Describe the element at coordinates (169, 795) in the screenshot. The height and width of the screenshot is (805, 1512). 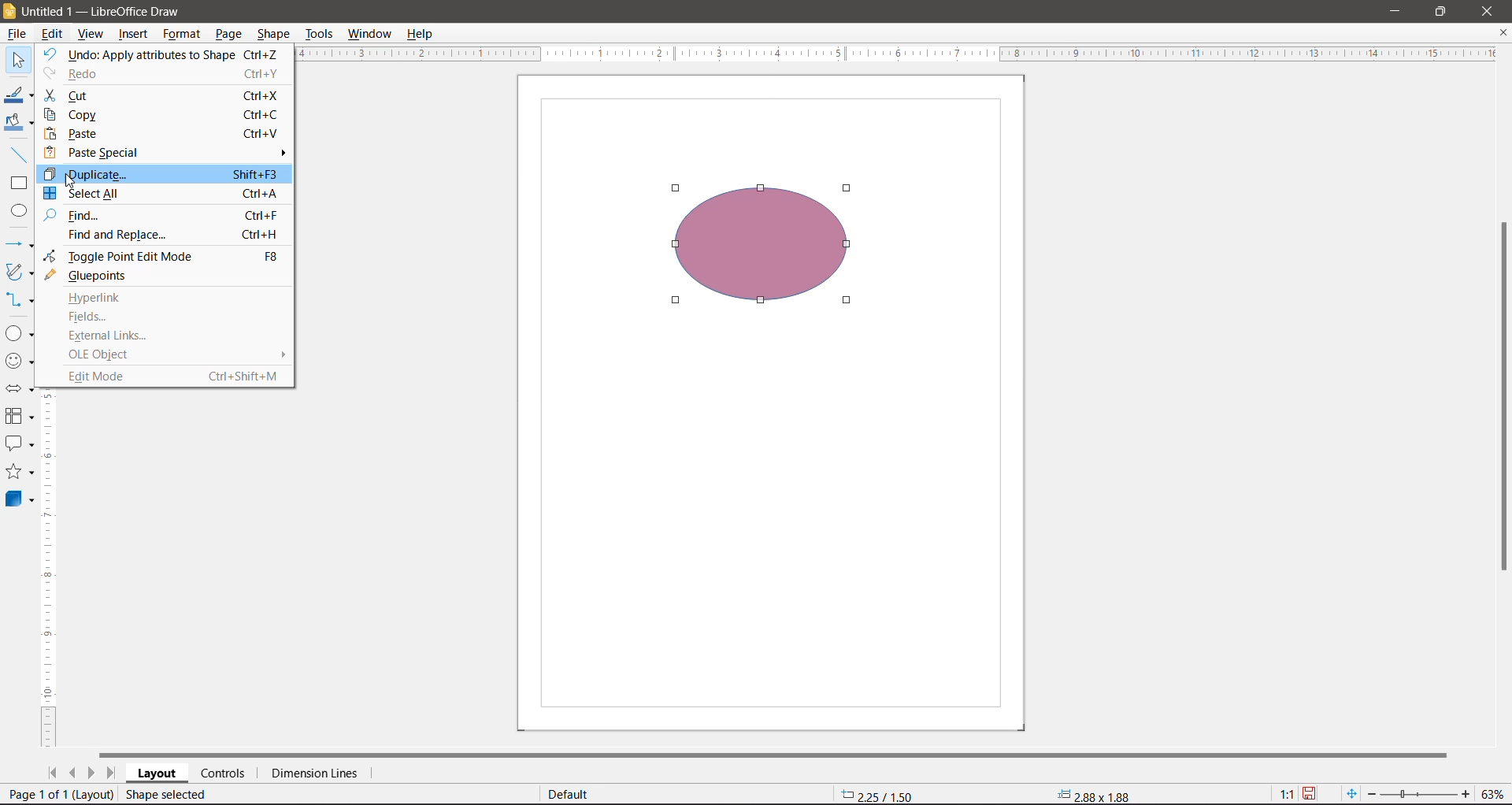
I see `Shape selected` at that location.